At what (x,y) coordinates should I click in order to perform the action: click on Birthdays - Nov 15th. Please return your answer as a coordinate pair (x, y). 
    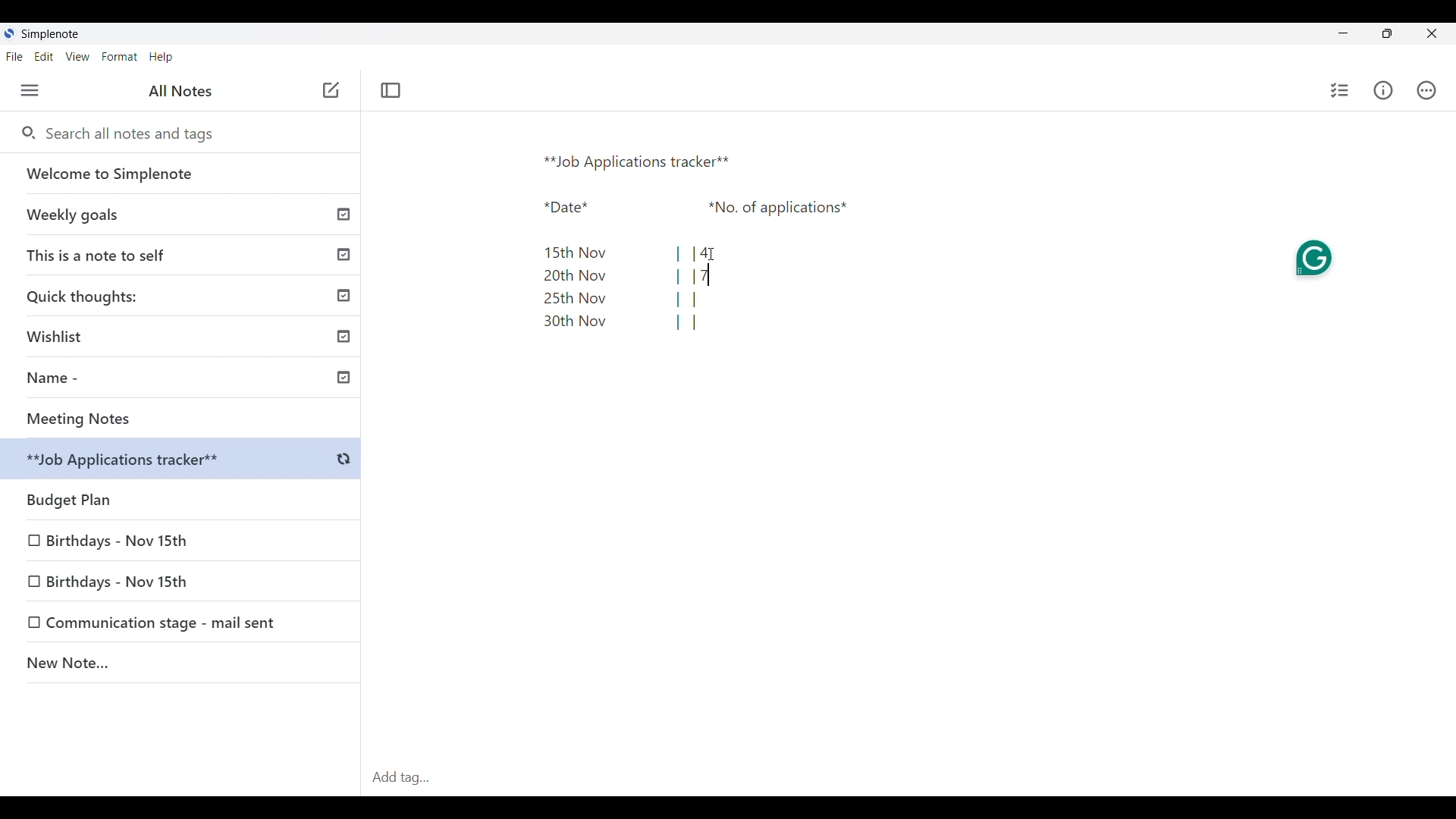
    Looking at the image, I should click on (119, 538).